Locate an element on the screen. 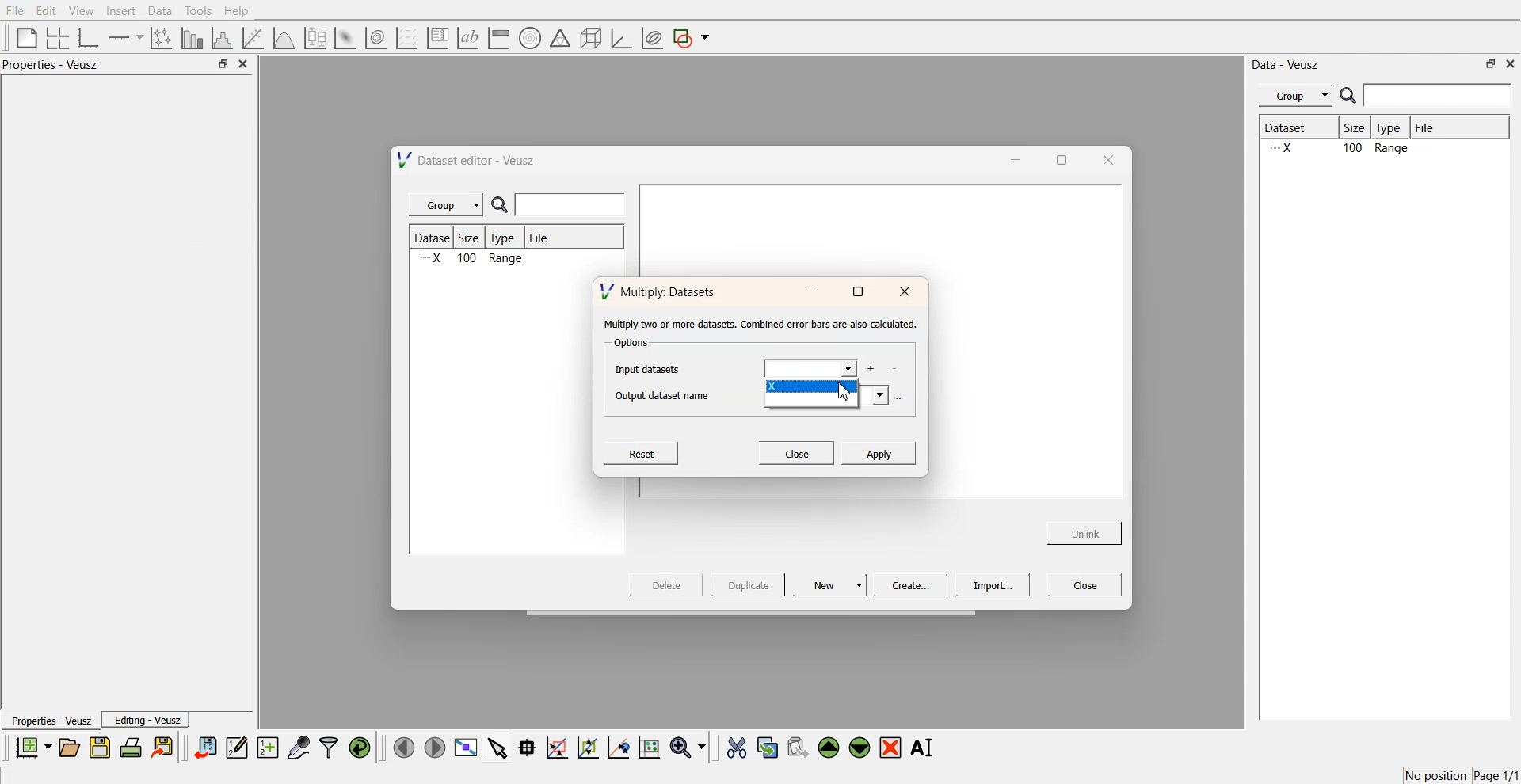 The image size is (1521, 784). plot a 2d data set as contour is located at coordinates (375, 39).